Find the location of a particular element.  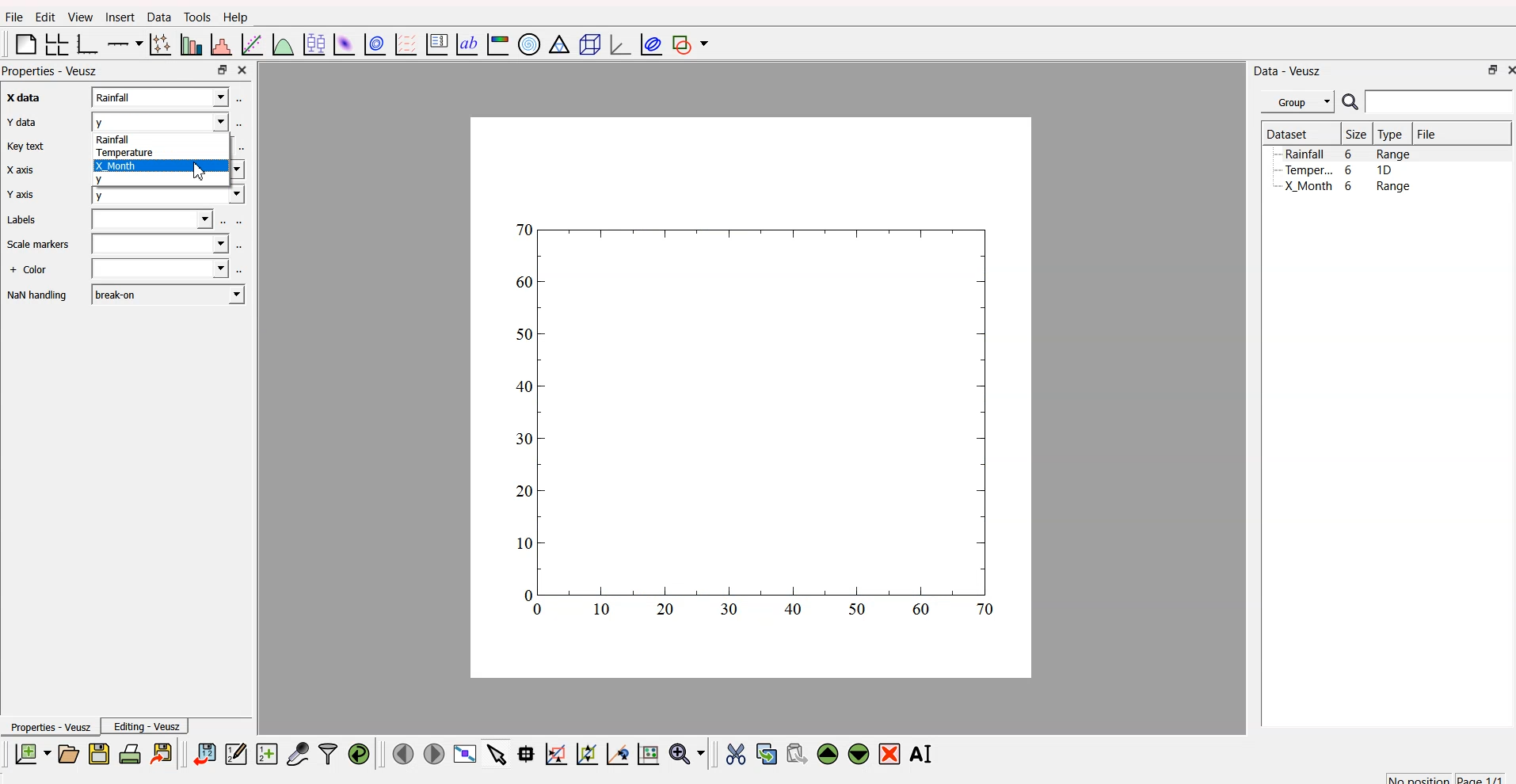

editor is located at coordinates (236, 752).